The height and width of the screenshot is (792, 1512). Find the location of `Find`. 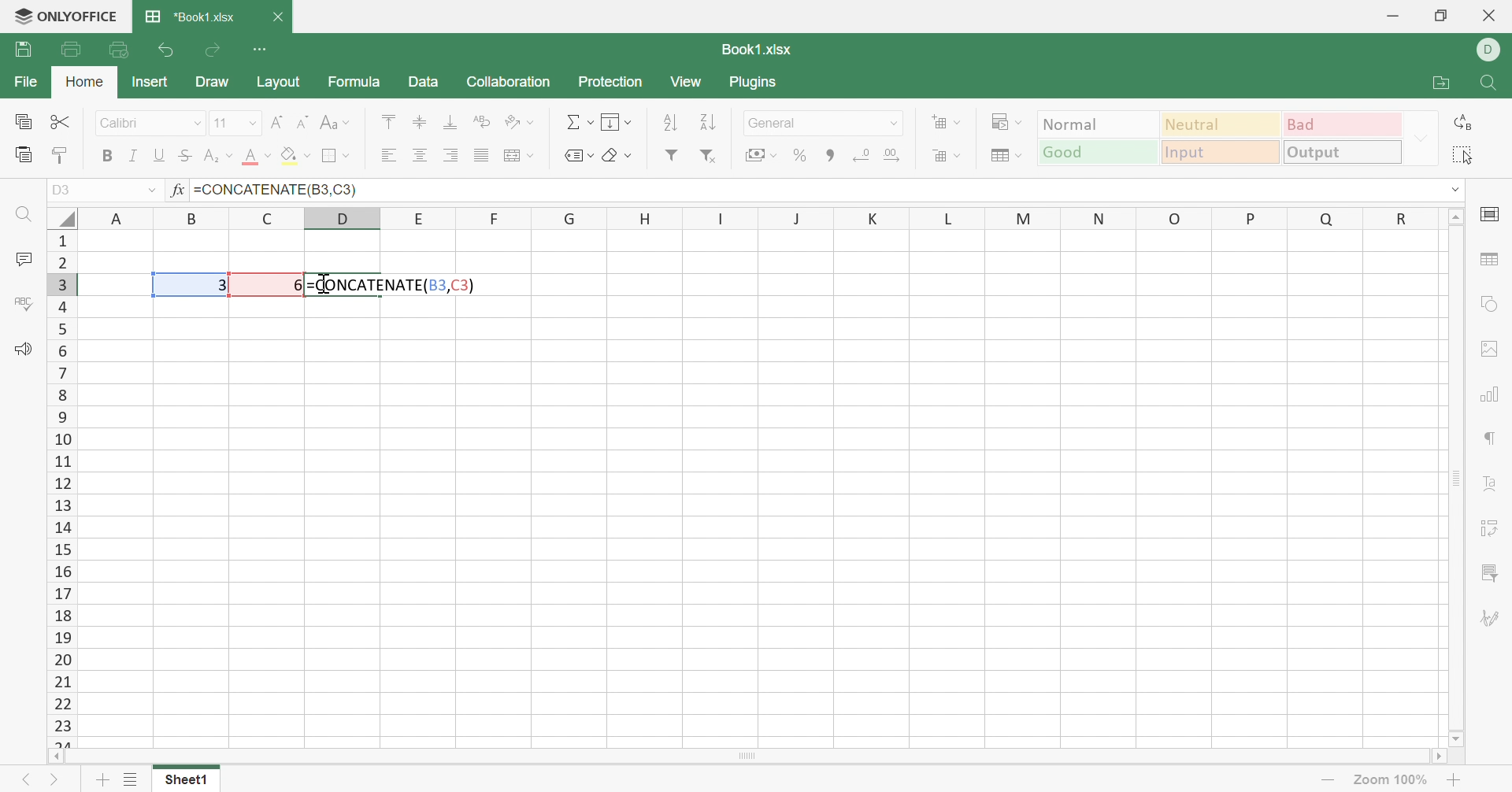

Find is located at coordinates (27, 217).